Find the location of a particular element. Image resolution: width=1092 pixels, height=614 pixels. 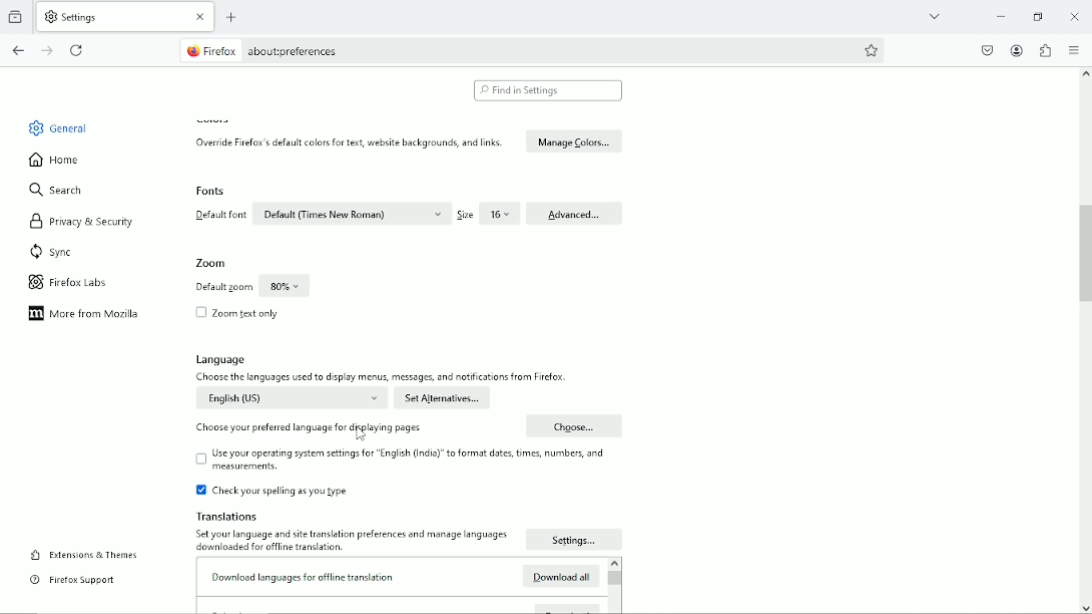

new tab is located at coordinates (233, 17).